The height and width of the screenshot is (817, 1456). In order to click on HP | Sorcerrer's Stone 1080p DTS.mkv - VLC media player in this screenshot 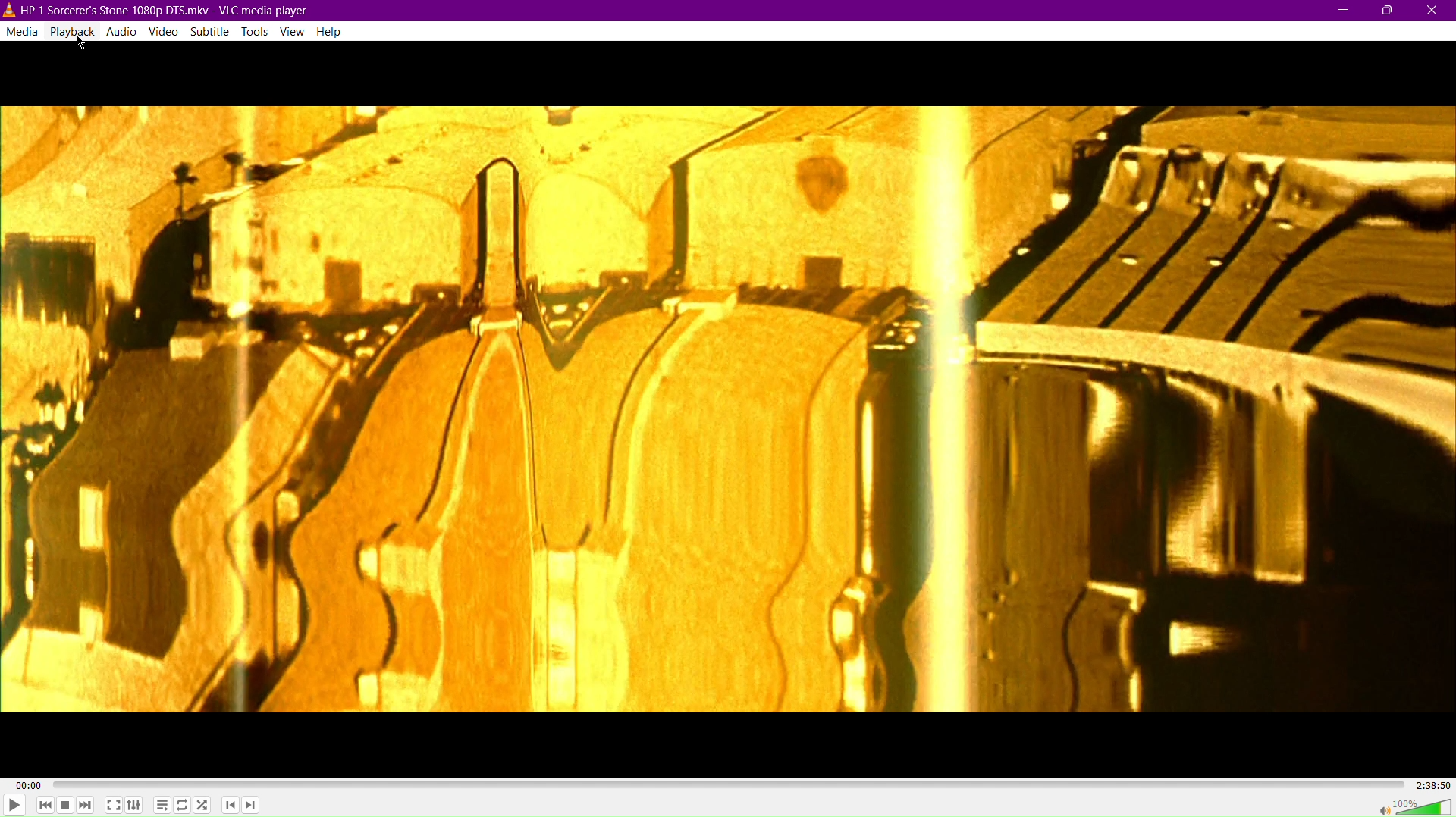, I will do `click(161, 9)`.